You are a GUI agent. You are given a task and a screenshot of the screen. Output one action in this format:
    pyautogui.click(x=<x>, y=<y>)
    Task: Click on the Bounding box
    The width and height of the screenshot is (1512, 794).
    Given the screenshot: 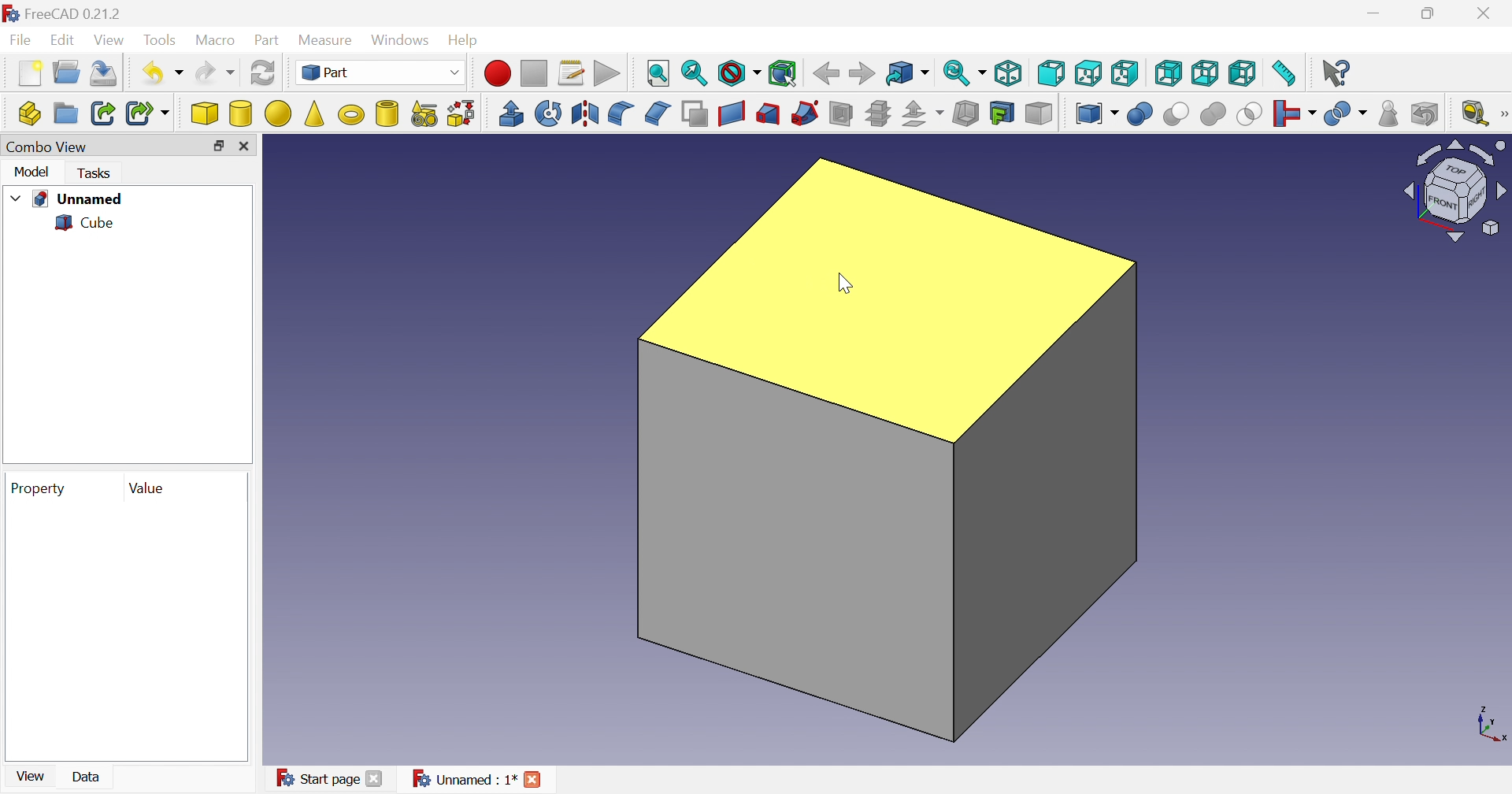 What is the action you would take?
    pyautogui.click(x=784, y=71)
    